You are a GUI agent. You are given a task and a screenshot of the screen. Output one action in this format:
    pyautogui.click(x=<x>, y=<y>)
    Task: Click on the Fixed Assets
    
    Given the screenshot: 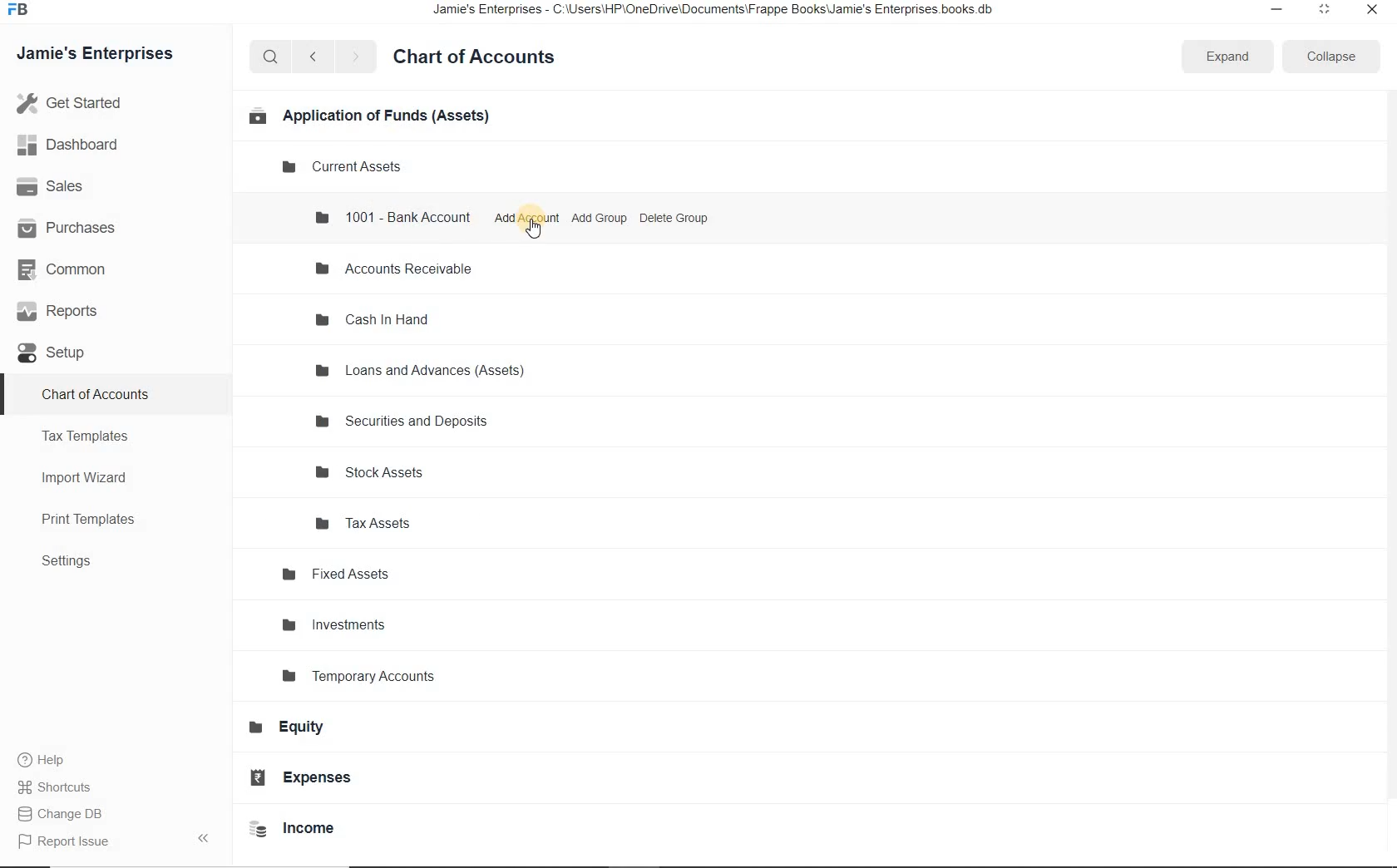 What is the action you would take?
    pyautogui.click(x=343, y=574)
    